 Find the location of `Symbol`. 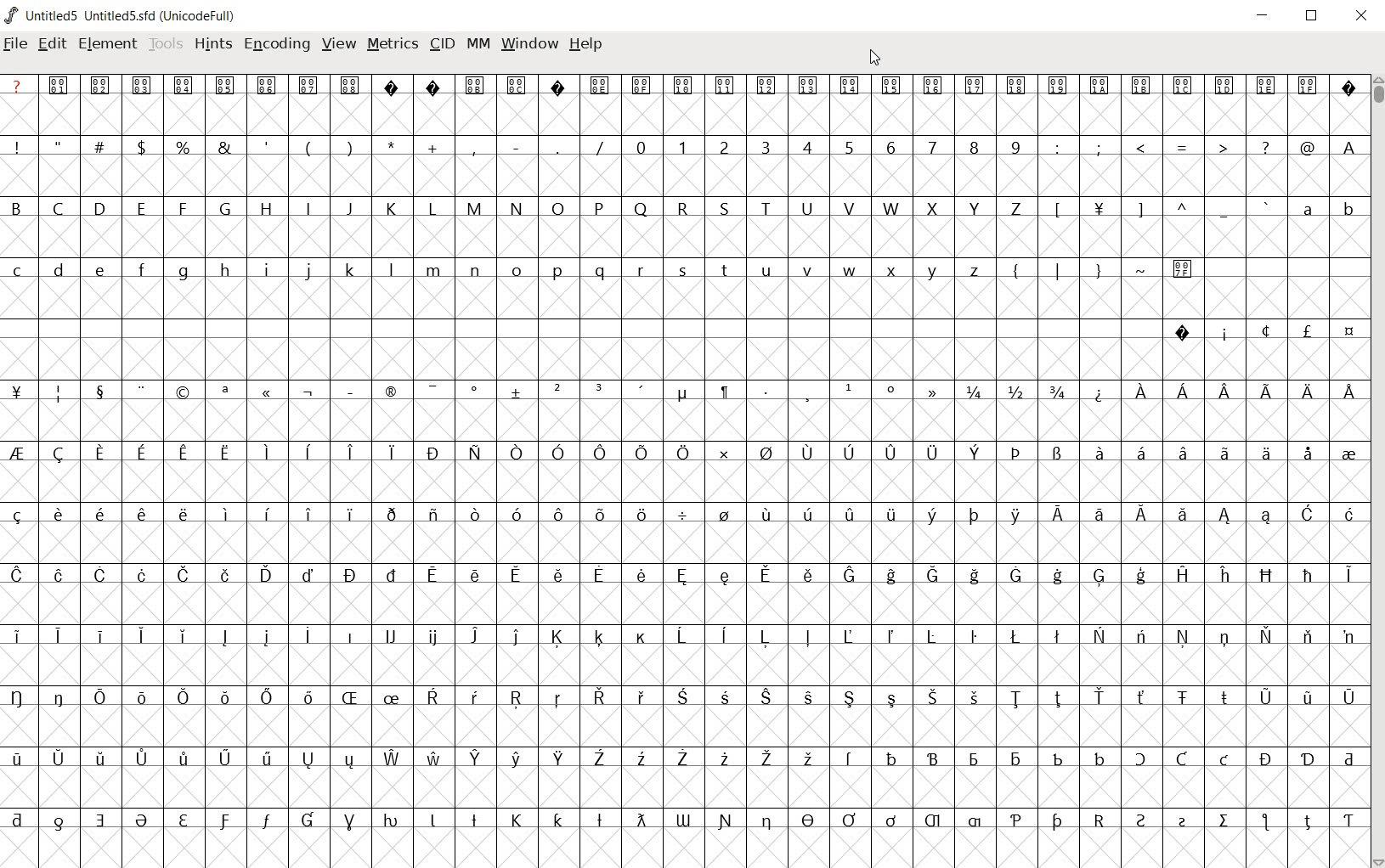

Symbol is located at coordinates (1348, 453).